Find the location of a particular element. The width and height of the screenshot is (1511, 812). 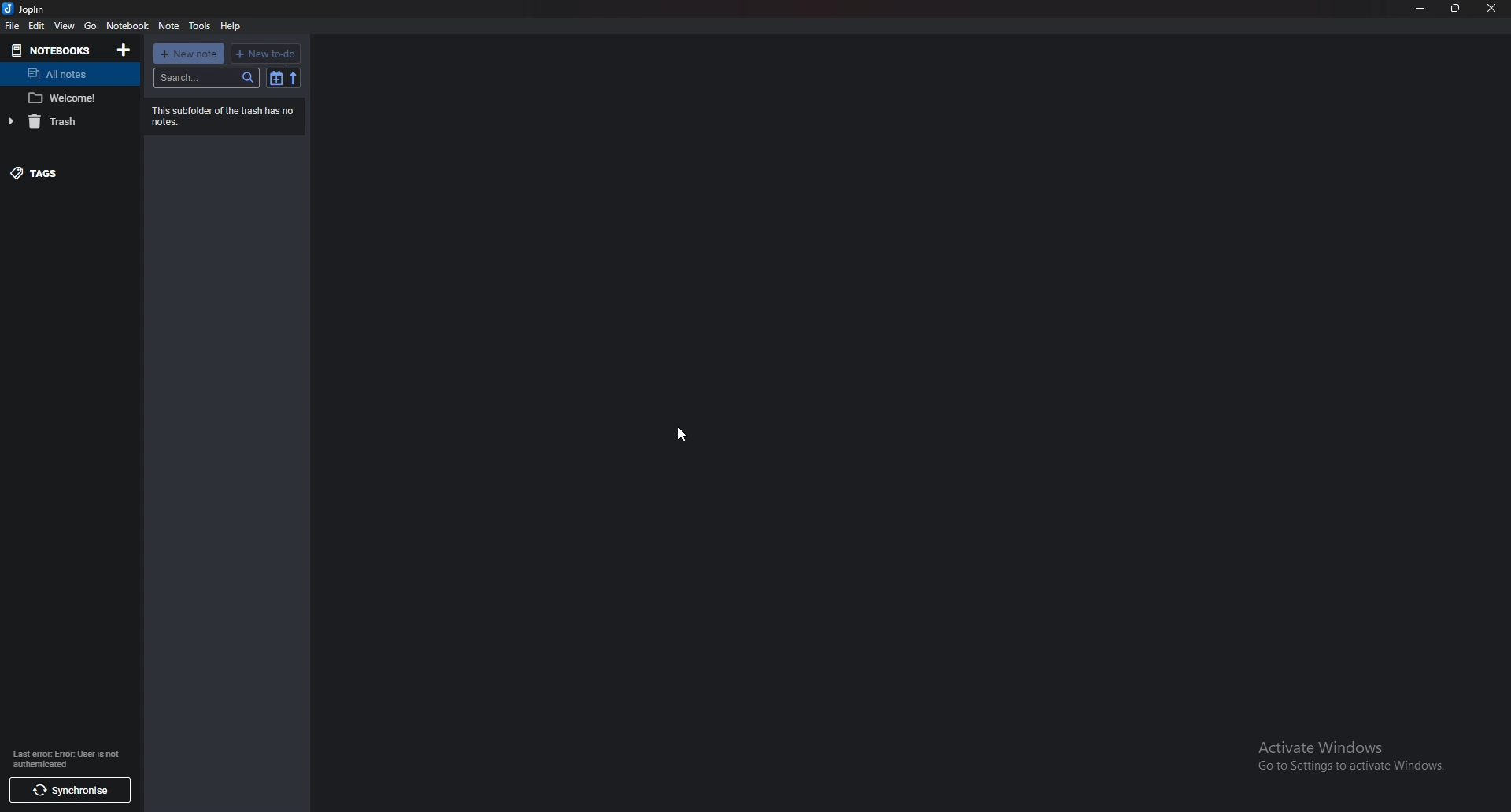

Notebook is located at coordinates (128, 26).